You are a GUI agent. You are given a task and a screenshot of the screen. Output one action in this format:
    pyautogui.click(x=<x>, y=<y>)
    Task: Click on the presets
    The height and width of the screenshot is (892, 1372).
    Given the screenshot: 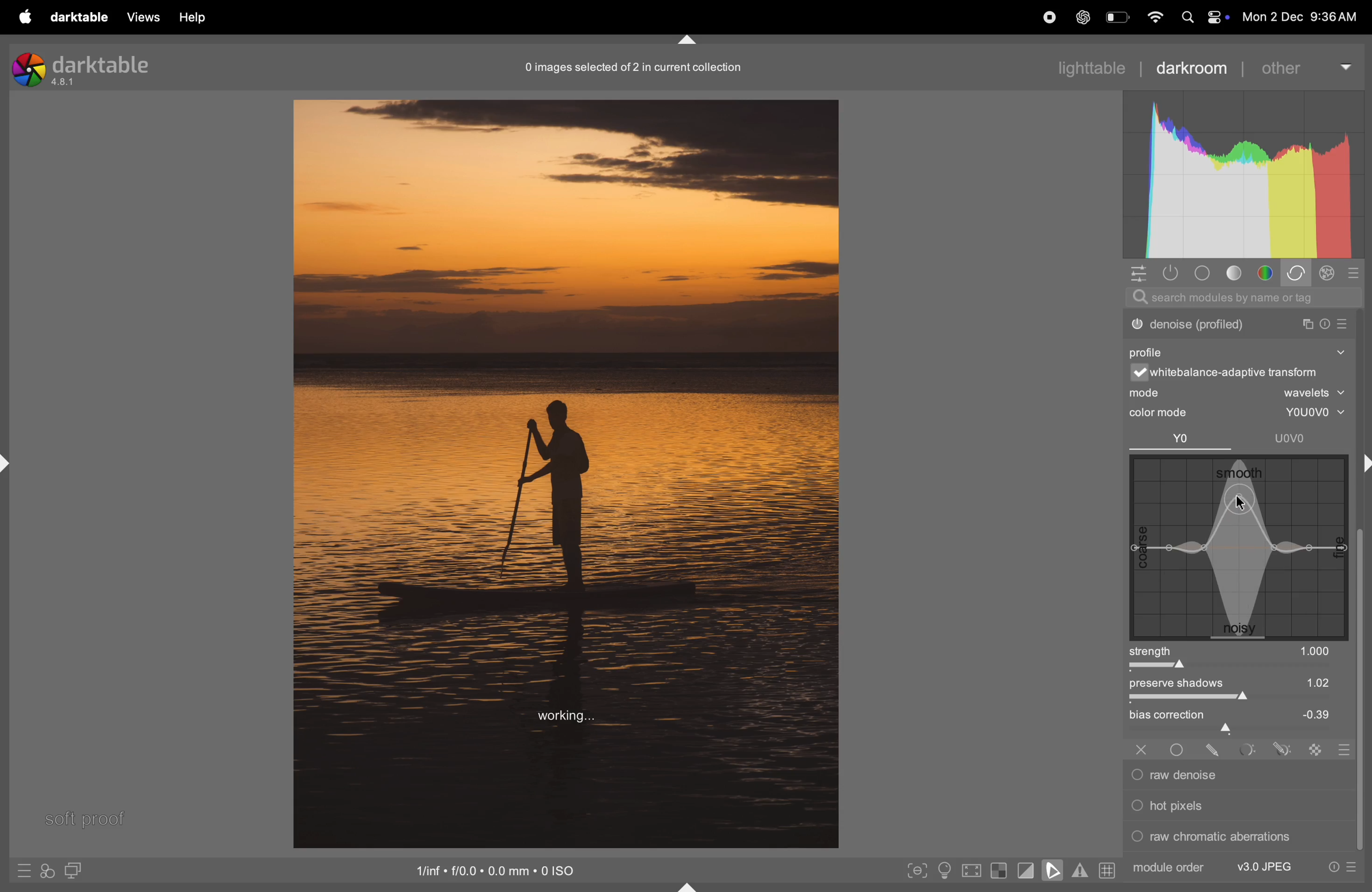 What is the action you would take?
    pyautogui.click(x=1342, y=868)
    